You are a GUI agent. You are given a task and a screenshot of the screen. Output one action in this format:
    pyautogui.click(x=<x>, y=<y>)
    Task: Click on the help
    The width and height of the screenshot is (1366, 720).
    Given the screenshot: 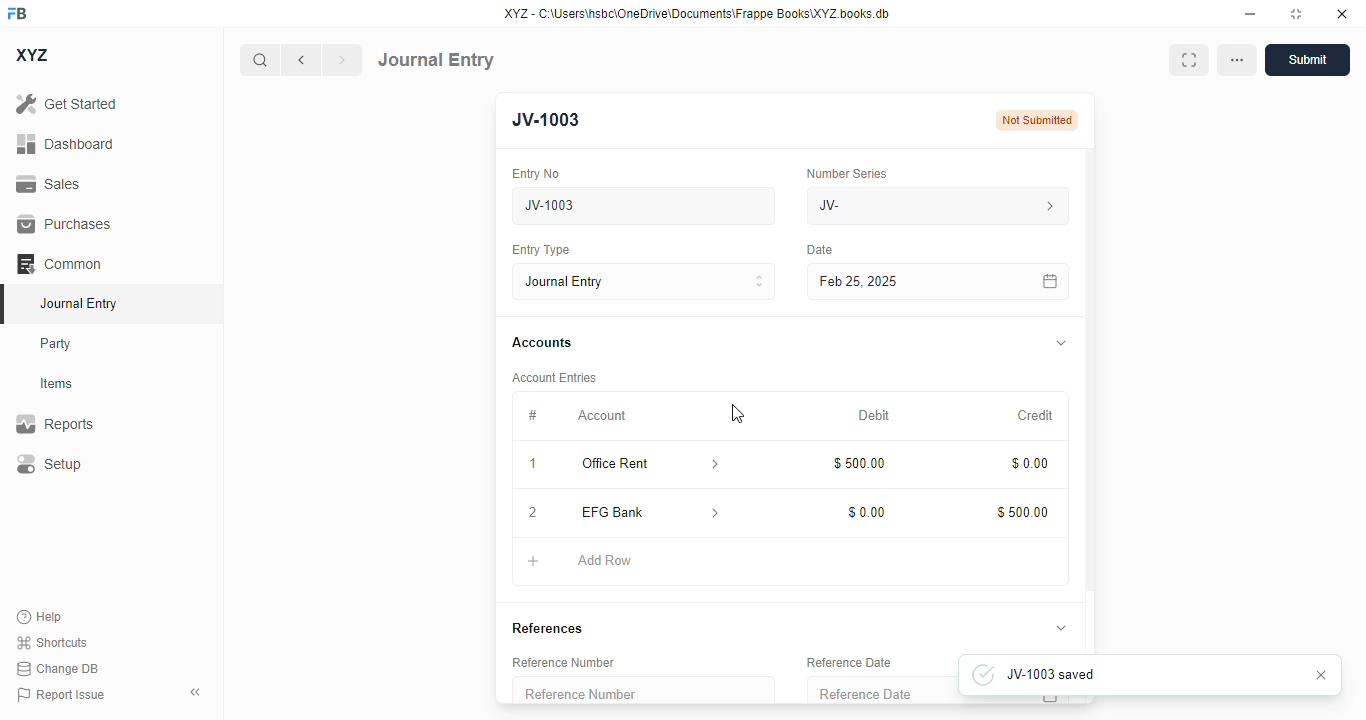 What is the action you would take?
    pyautogui.click(x=40, y=617)
    